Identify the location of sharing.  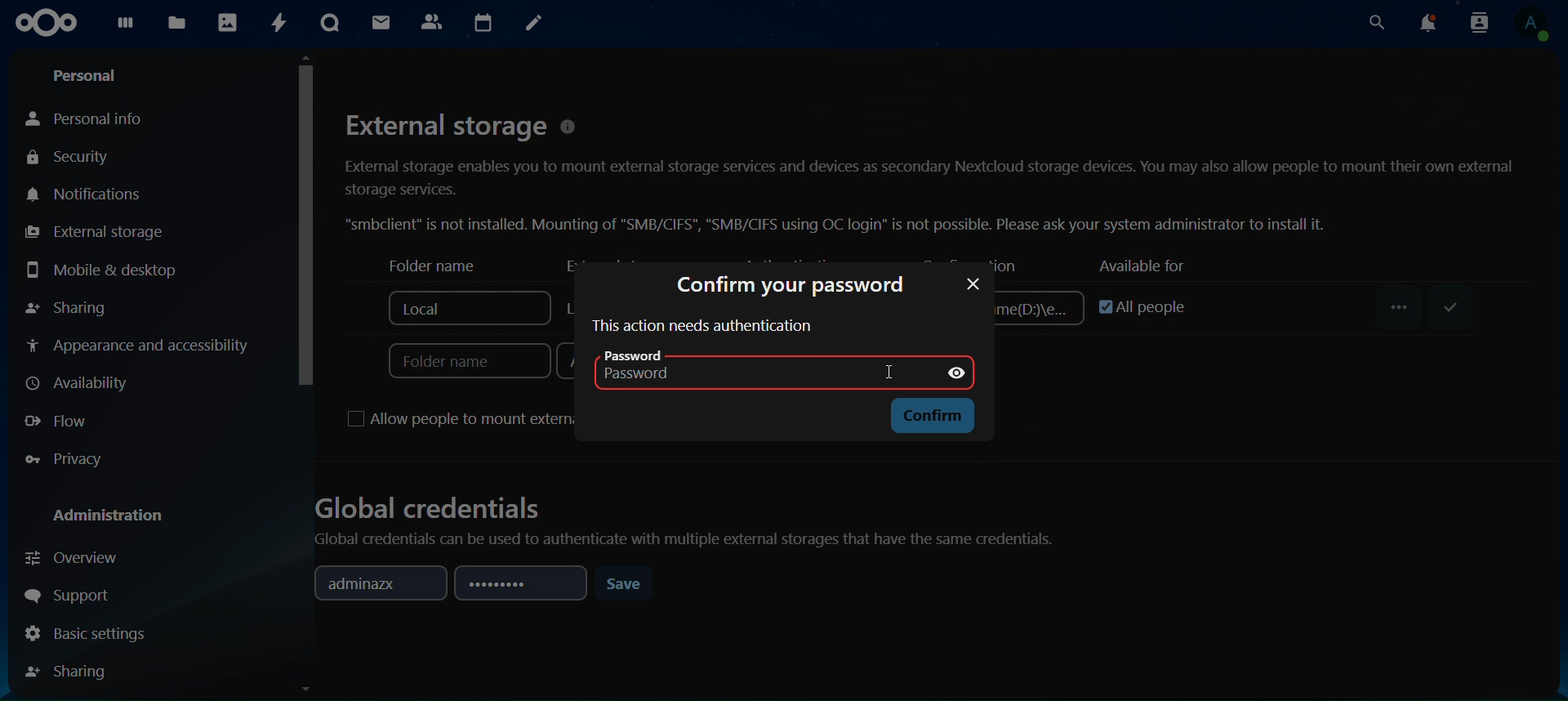
(69, 308).